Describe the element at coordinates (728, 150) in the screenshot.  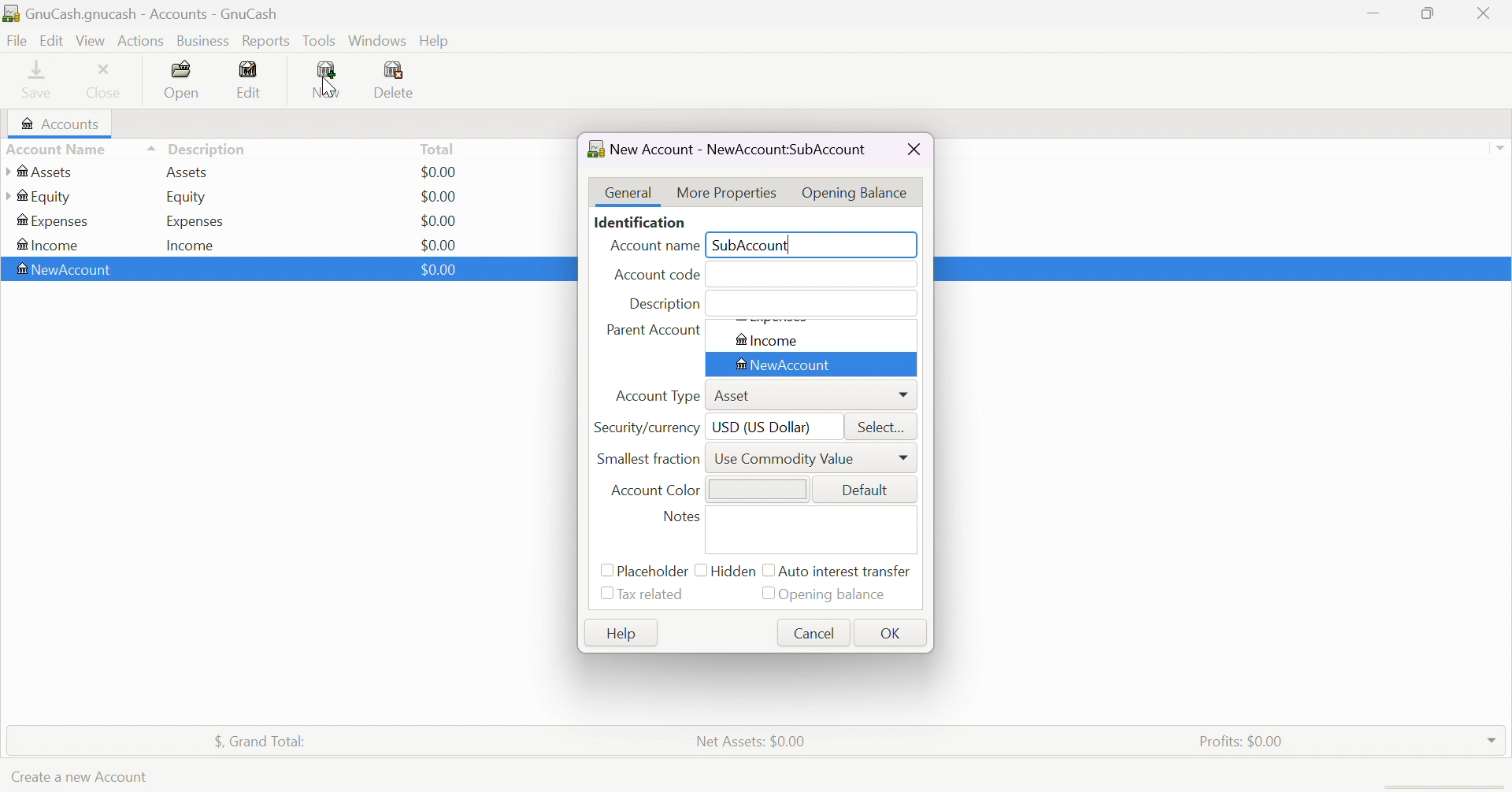
I see `New Account - NewAccount:<No name>` at that location.